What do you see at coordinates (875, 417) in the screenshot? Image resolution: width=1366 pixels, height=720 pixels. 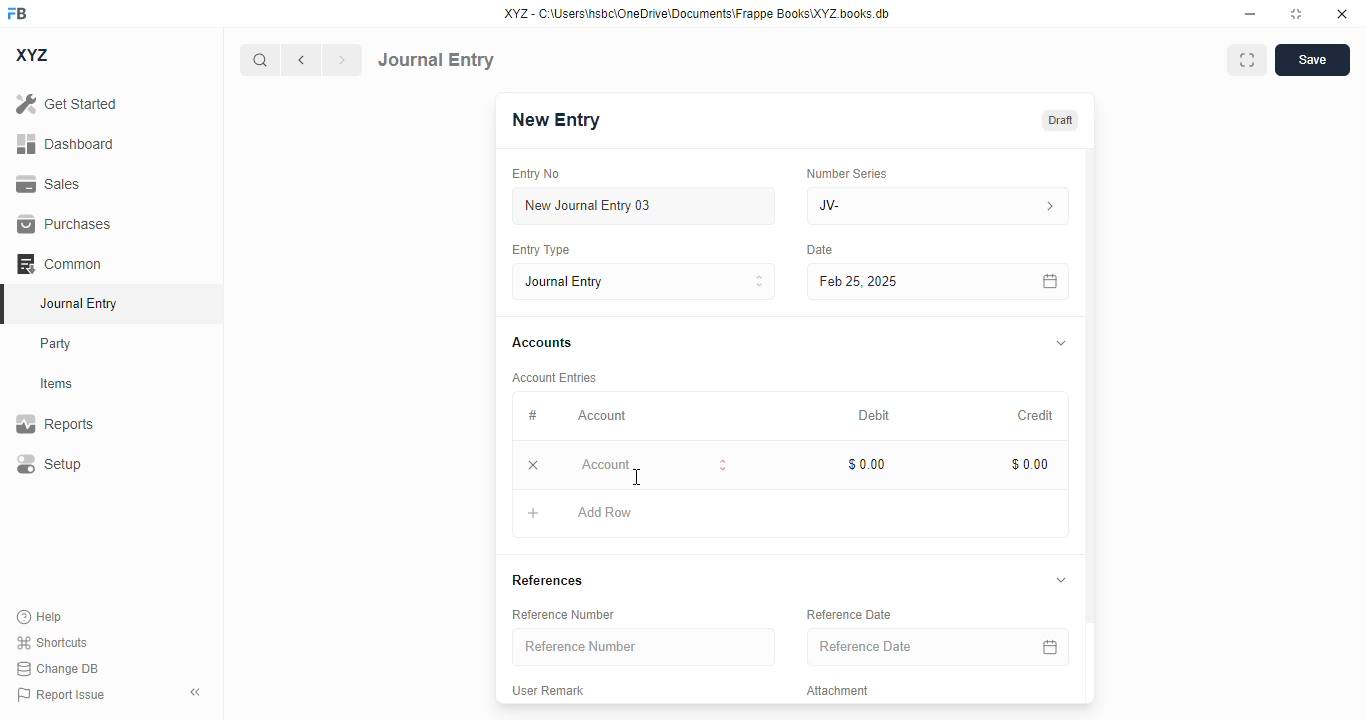 I see `debit` at bounding box center [875, 417].